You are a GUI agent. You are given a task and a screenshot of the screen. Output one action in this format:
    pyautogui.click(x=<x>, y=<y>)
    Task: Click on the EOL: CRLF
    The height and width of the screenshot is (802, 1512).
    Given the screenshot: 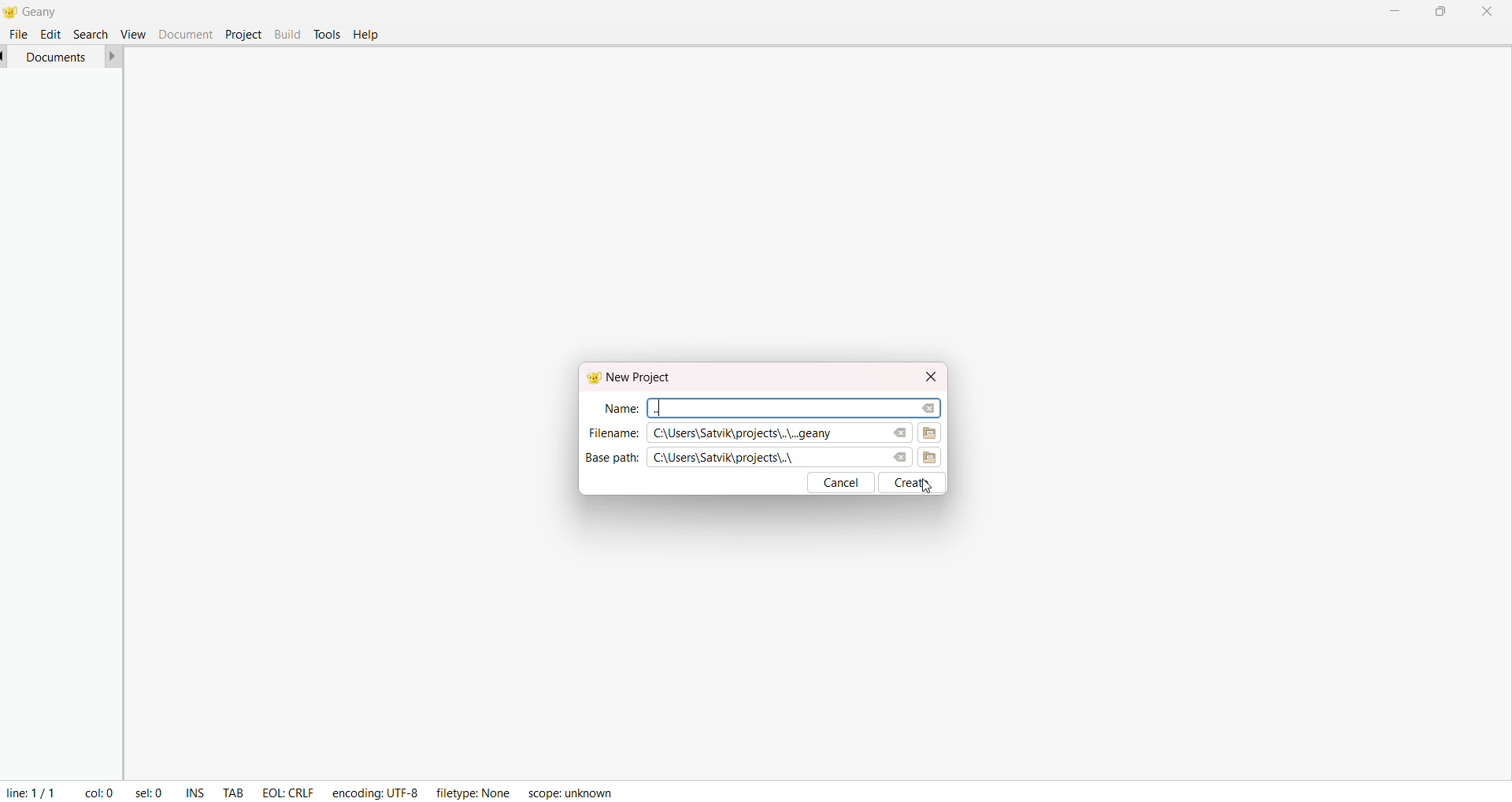 What is the action you would take?
    pyautogui.click(x=289, y=789)
    